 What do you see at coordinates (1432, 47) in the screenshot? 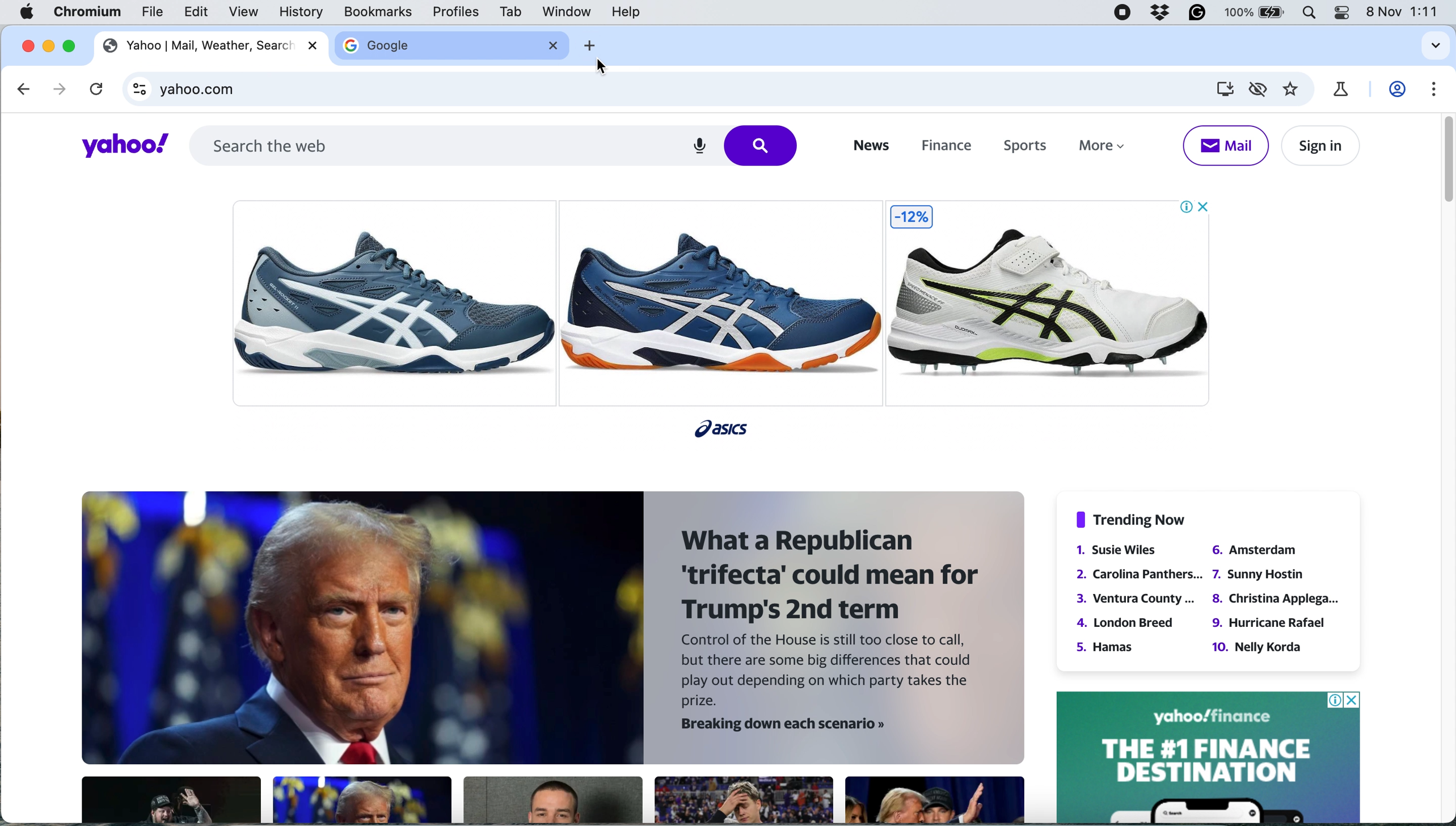
I see `search tabs` at bounding box center [1432, 47].